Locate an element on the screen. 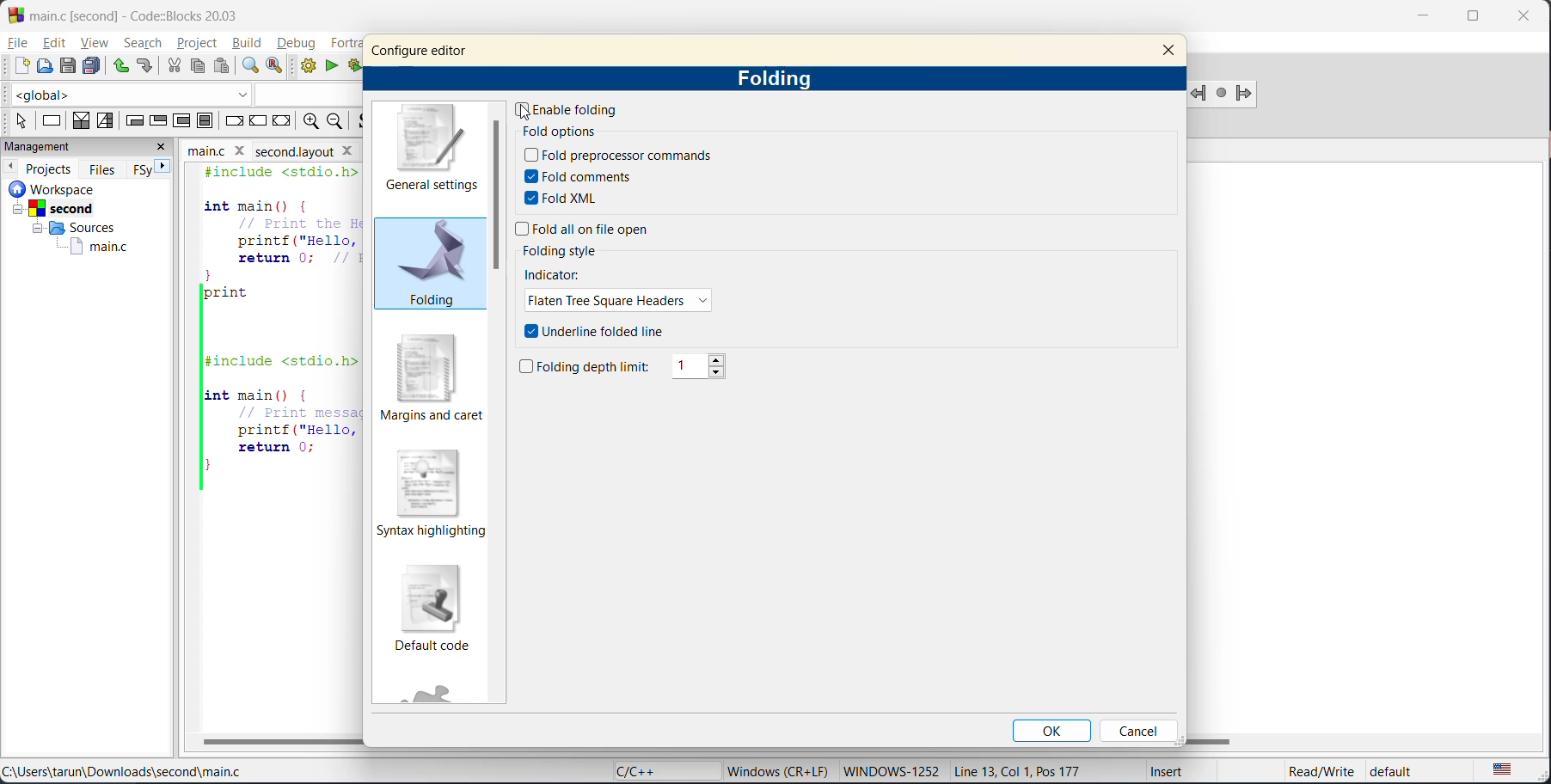  fold comments is located at coordinates (585, 175).